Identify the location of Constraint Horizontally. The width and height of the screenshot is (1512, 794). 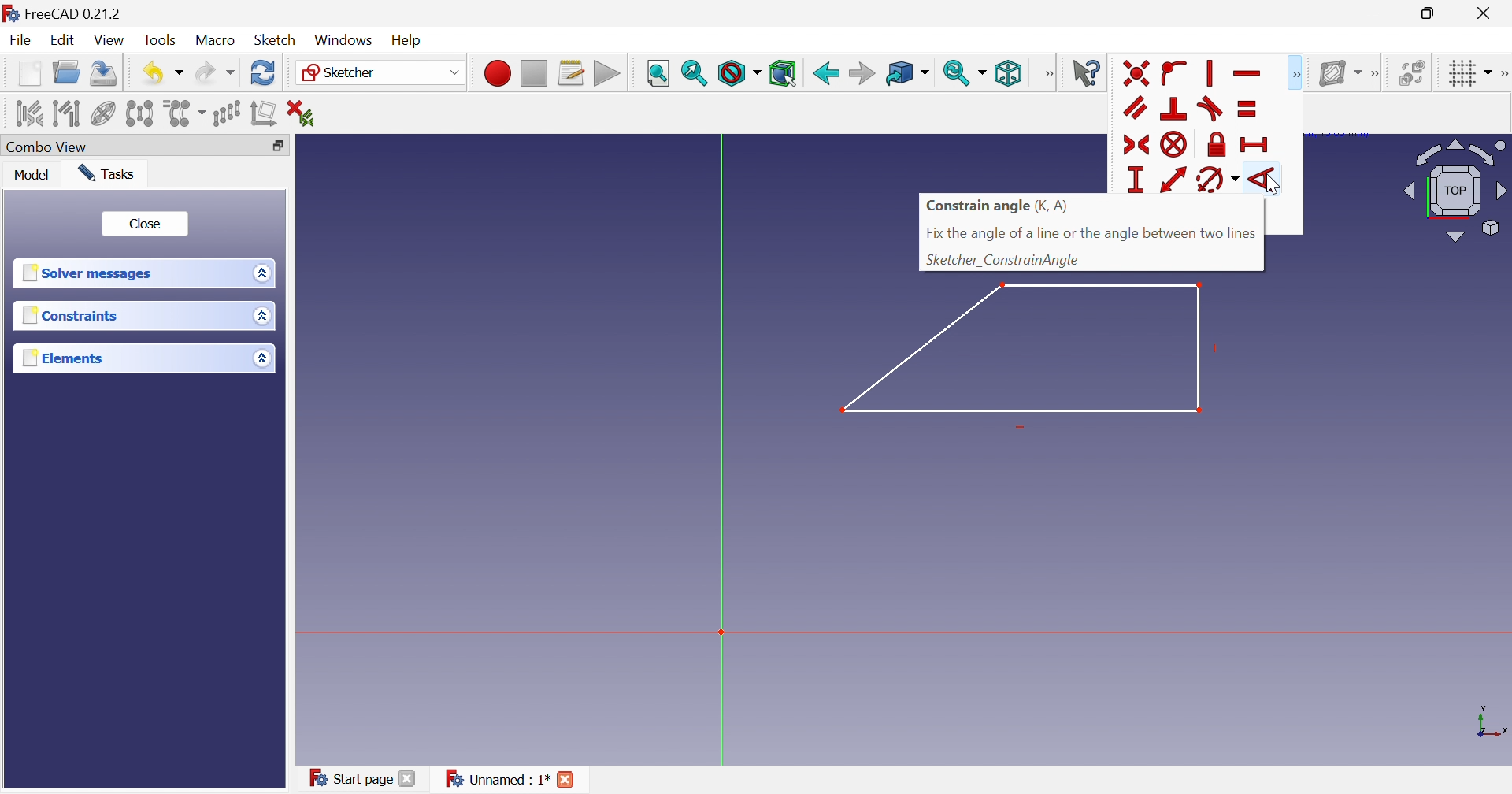
(1248, 73).